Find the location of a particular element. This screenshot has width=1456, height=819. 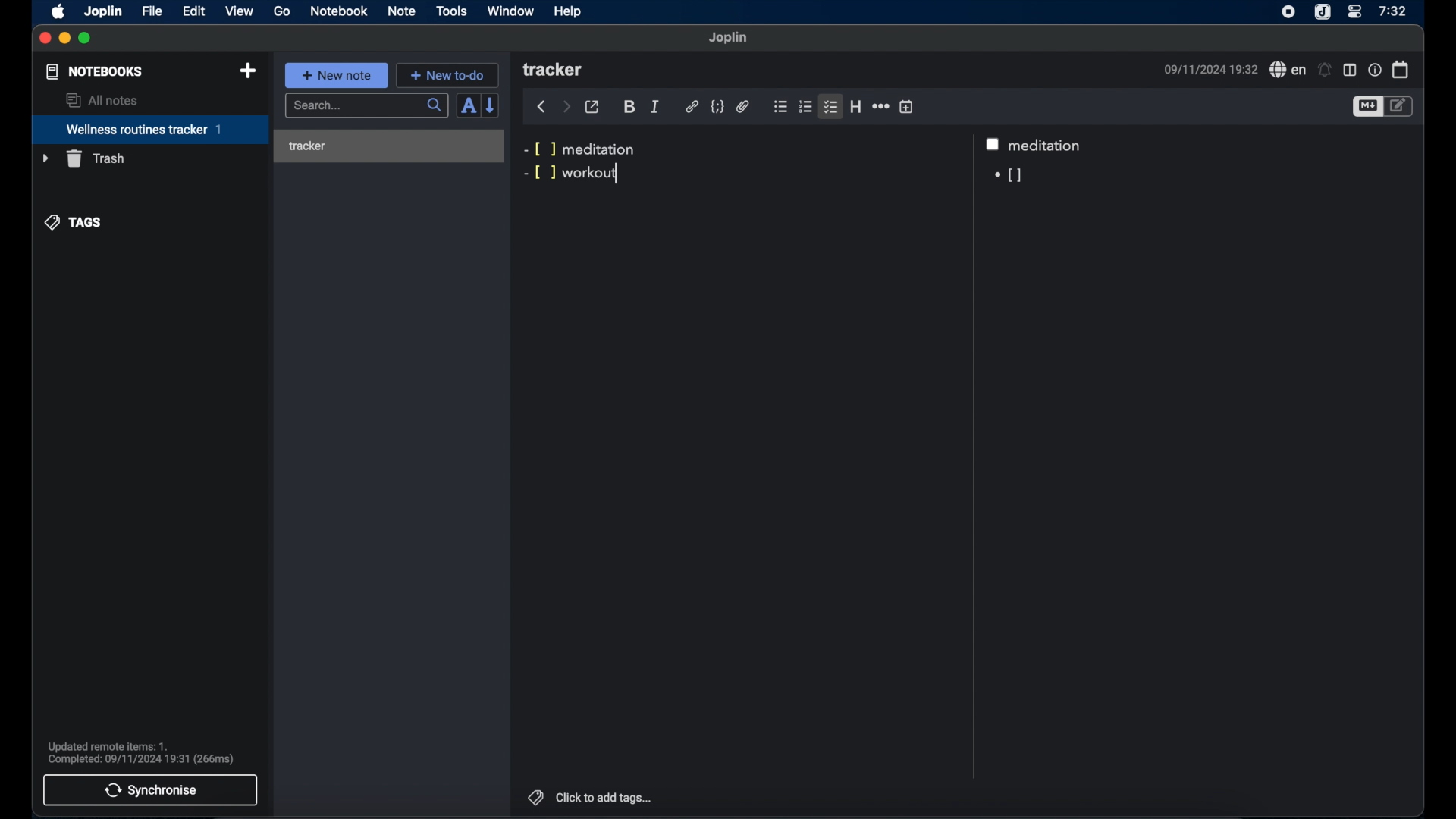

Scroll bar is located at coordinates (973, 457).